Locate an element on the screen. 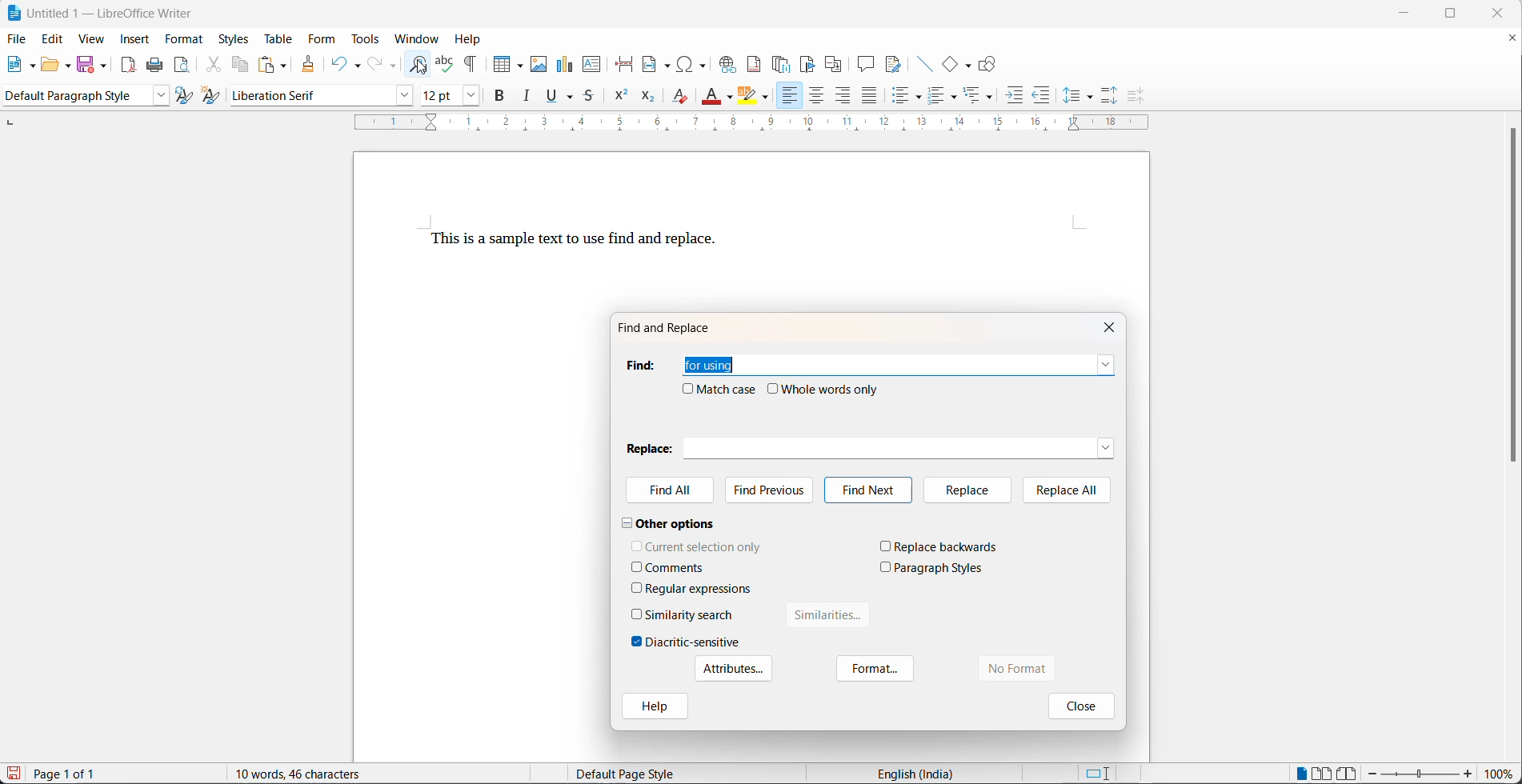  save is located at coordinates (86, 63).